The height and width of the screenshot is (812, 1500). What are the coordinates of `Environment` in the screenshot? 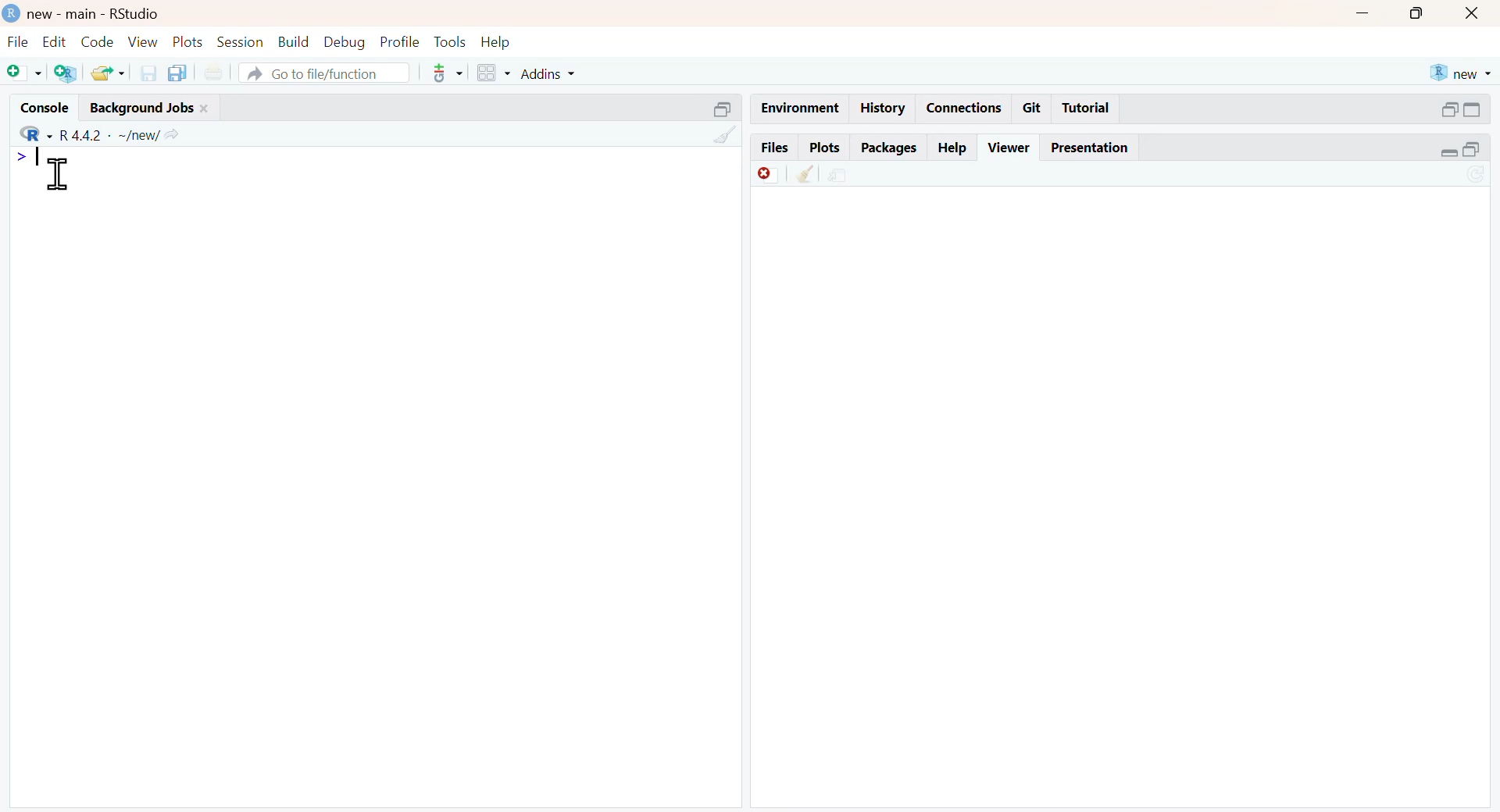 It's located at (800, 109).